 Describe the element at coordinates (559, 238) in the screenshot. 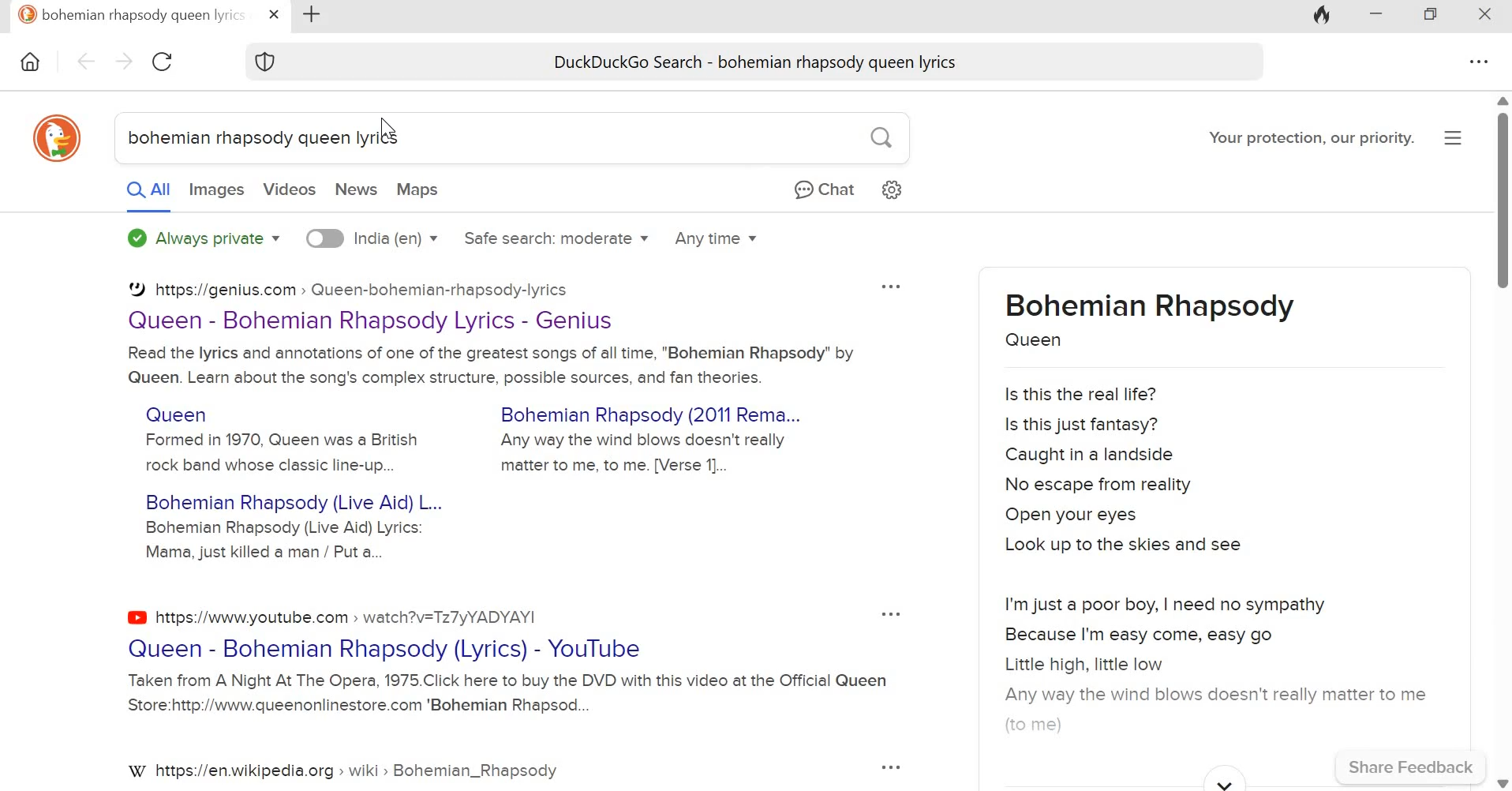

I see `Safe search: moderate` at that location.